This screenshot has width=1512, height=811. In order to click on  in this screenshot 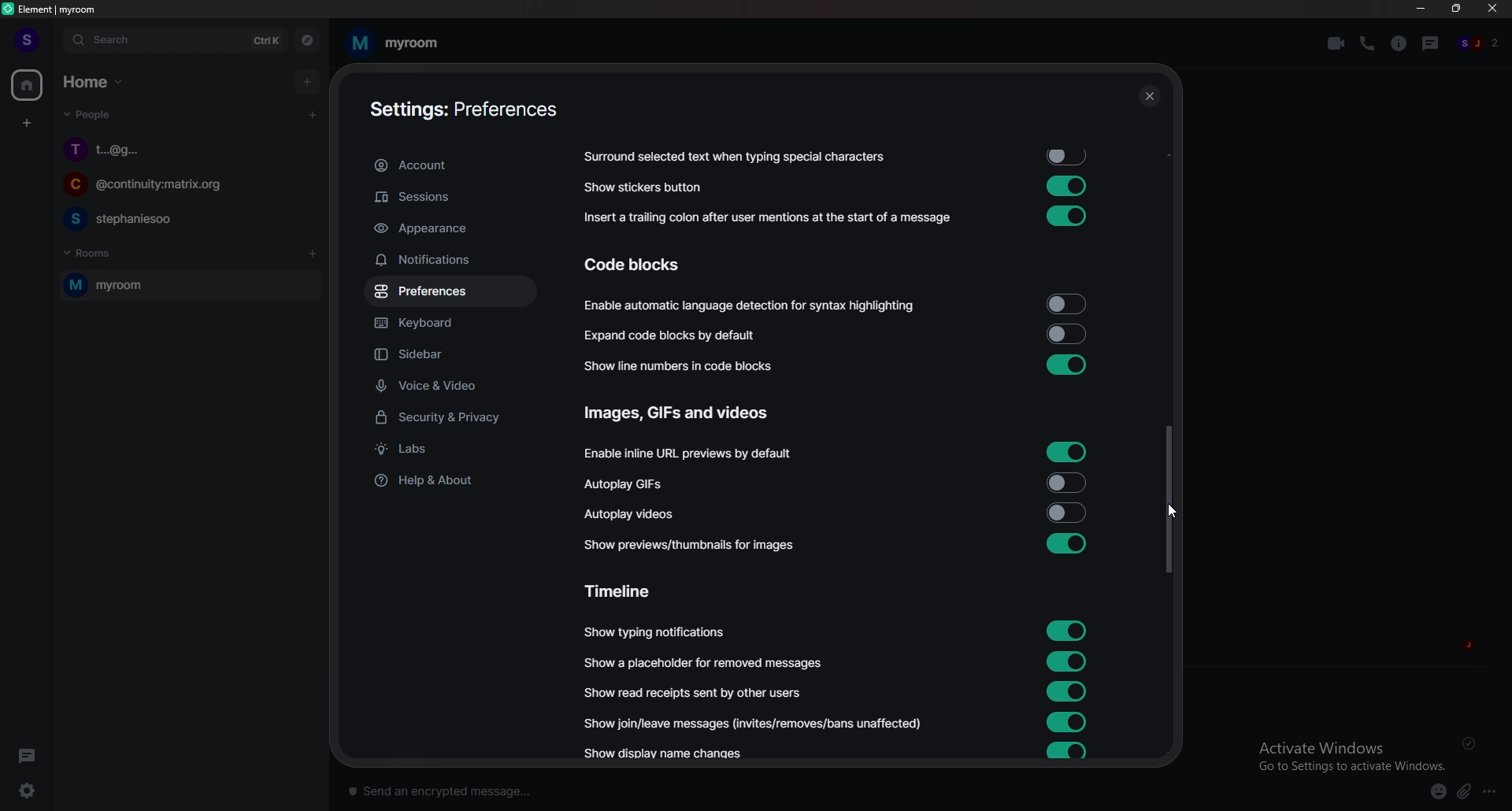, I will do `click(1473, 743)`.